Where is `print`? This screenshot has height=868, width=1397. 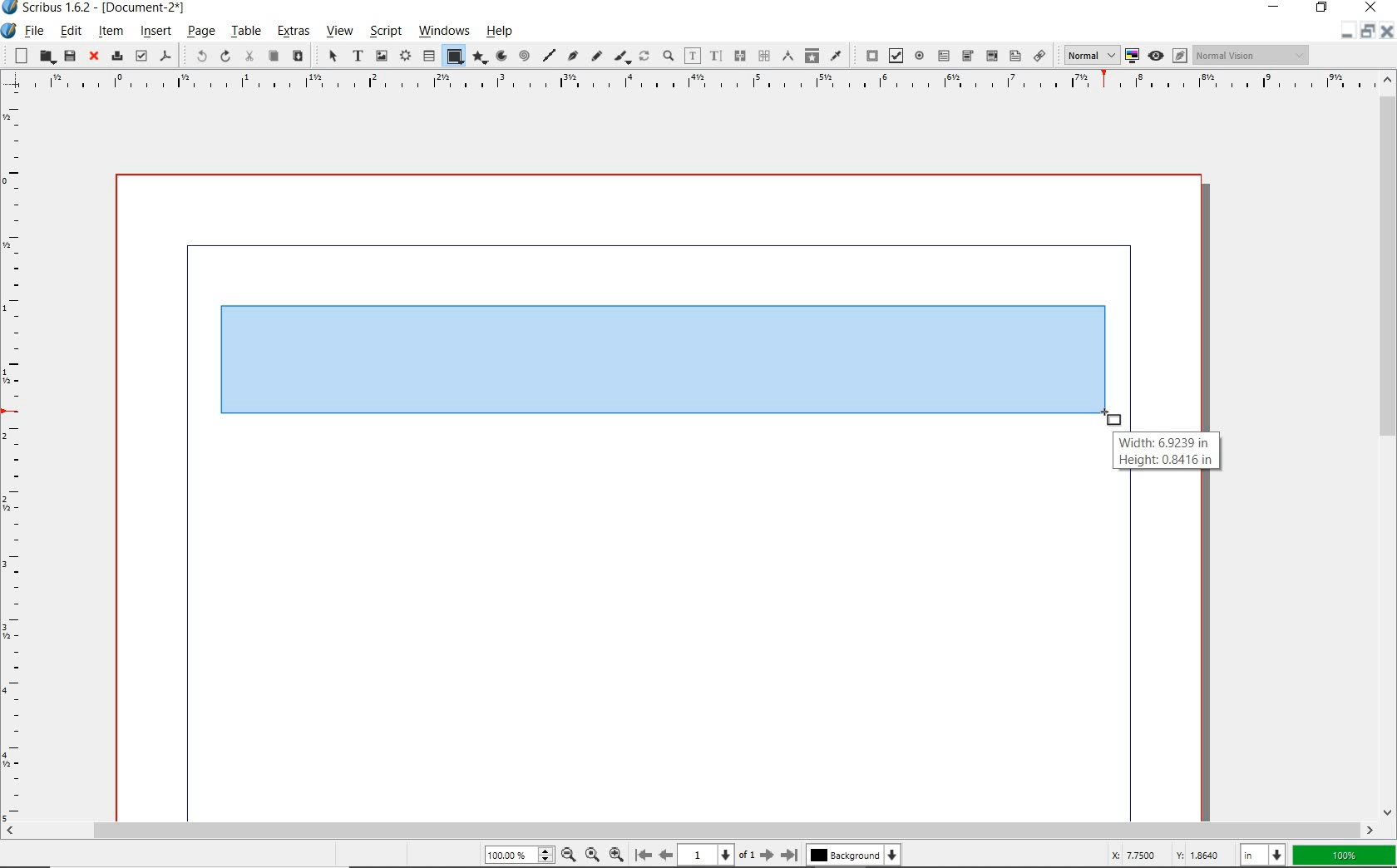
print is located at coordinates (116, 56).